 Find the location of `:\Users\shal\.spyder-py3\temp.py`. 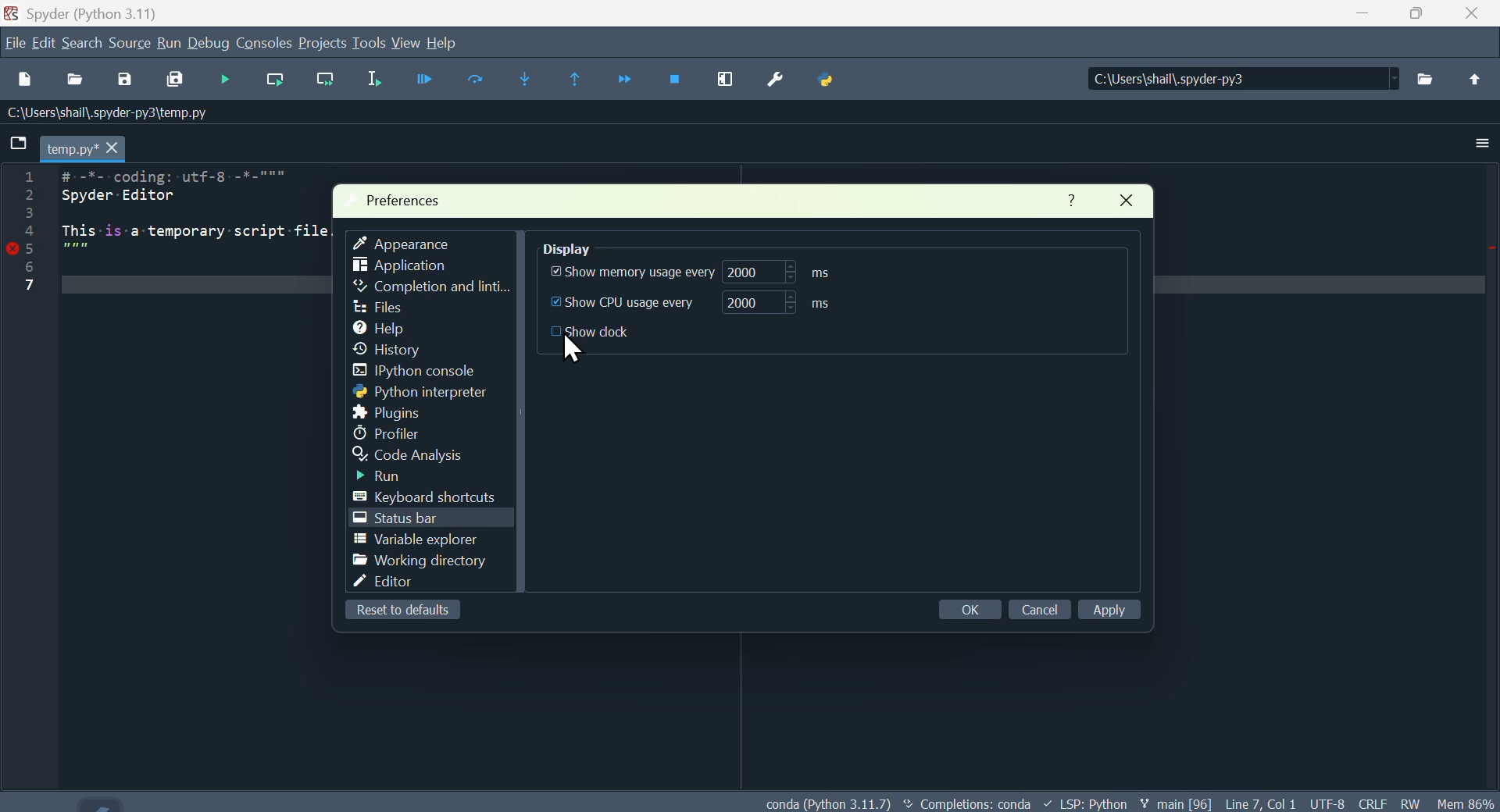

:\Users\shal\.spyder-py3\temp.py is located at coordinates (102, 114).